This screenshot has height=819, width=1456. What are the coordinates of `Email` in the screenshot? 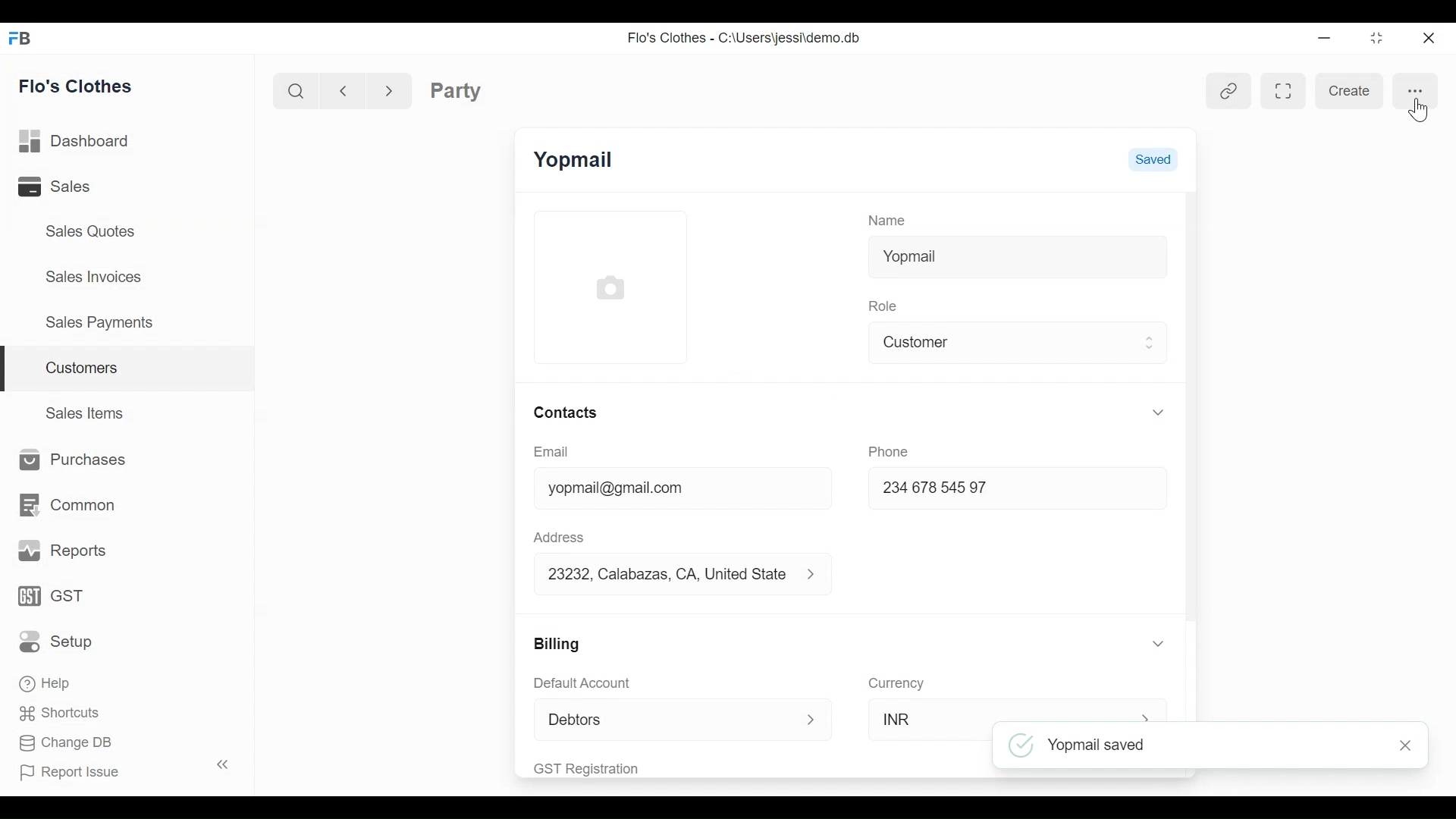 It's located at (551, 452).